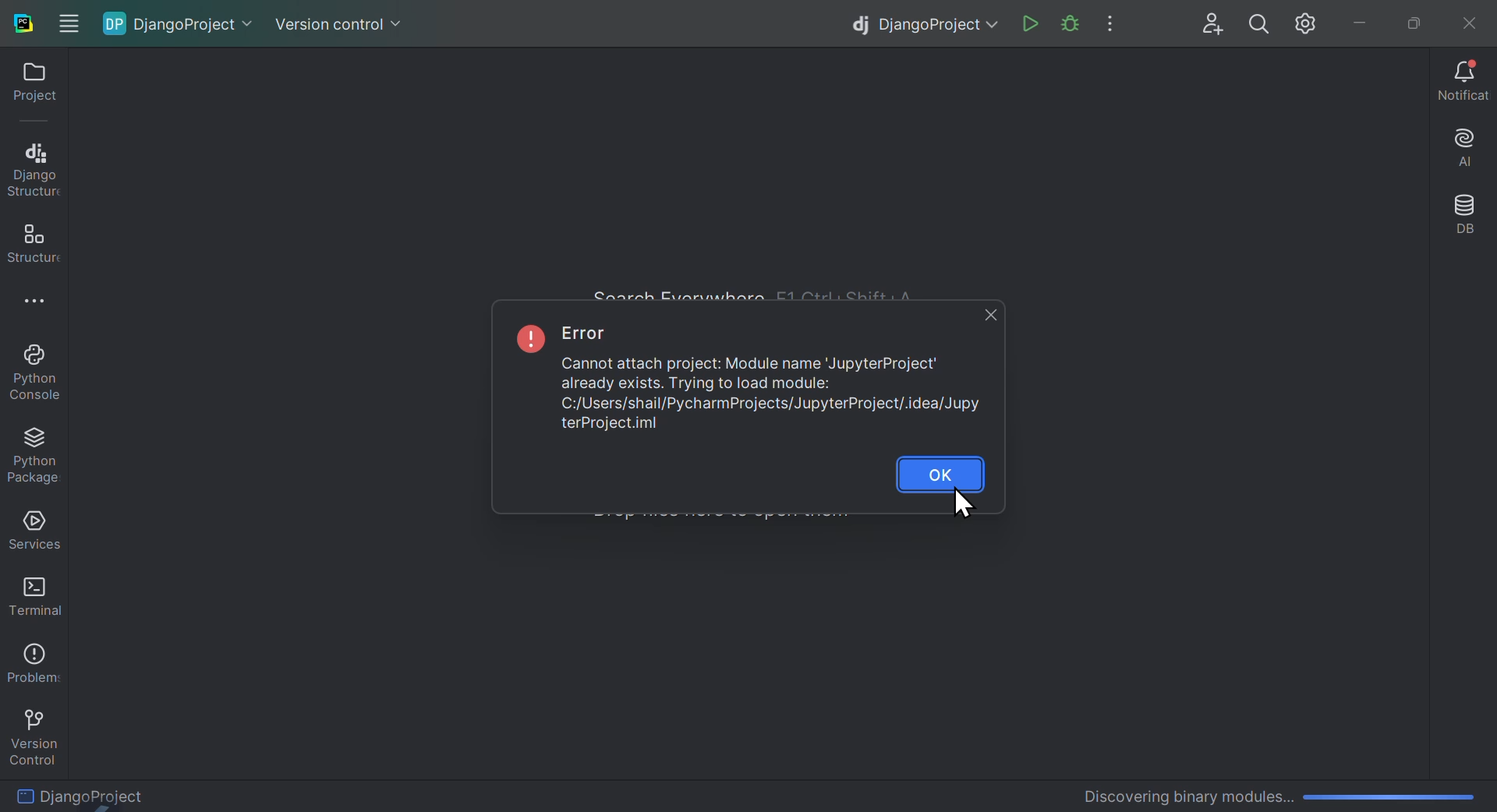  I want to click on Terminal, so click(30, 595).